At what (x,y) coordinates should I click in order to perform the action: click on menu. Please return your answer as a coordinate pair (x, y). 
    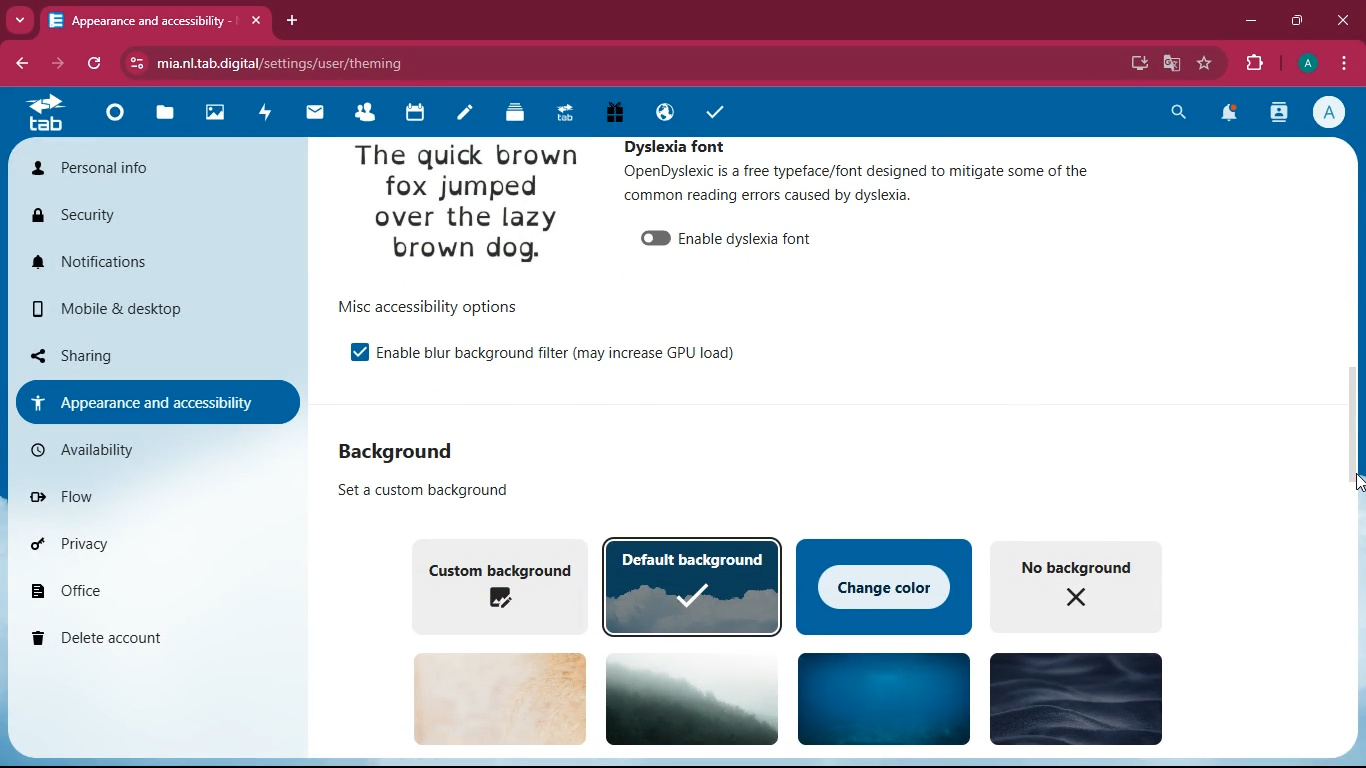
    Looking at the image, I should click on (1343, 61).